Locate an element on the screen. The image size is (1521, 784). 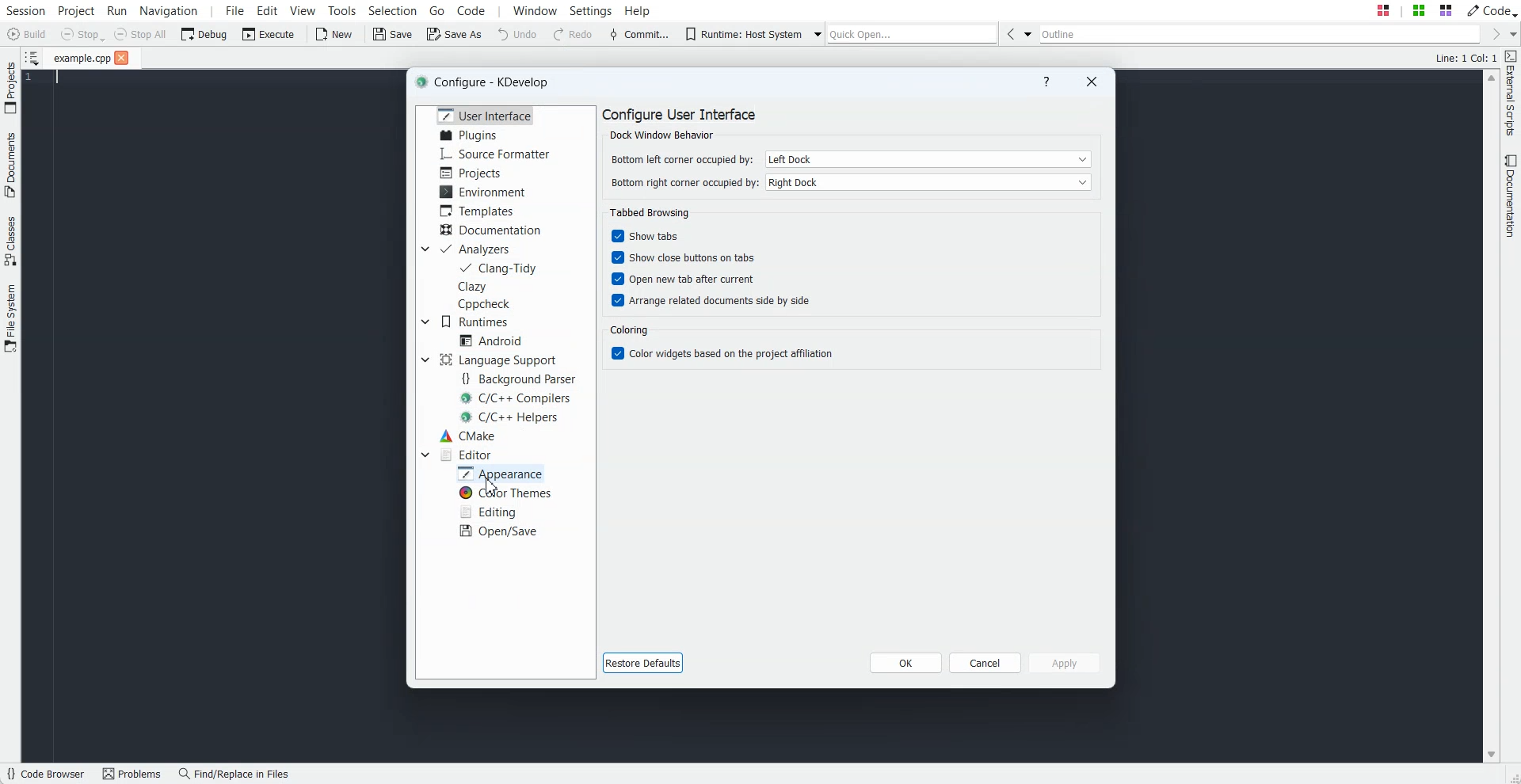
Find/Replace in Files is located at coordinates (235, 774).